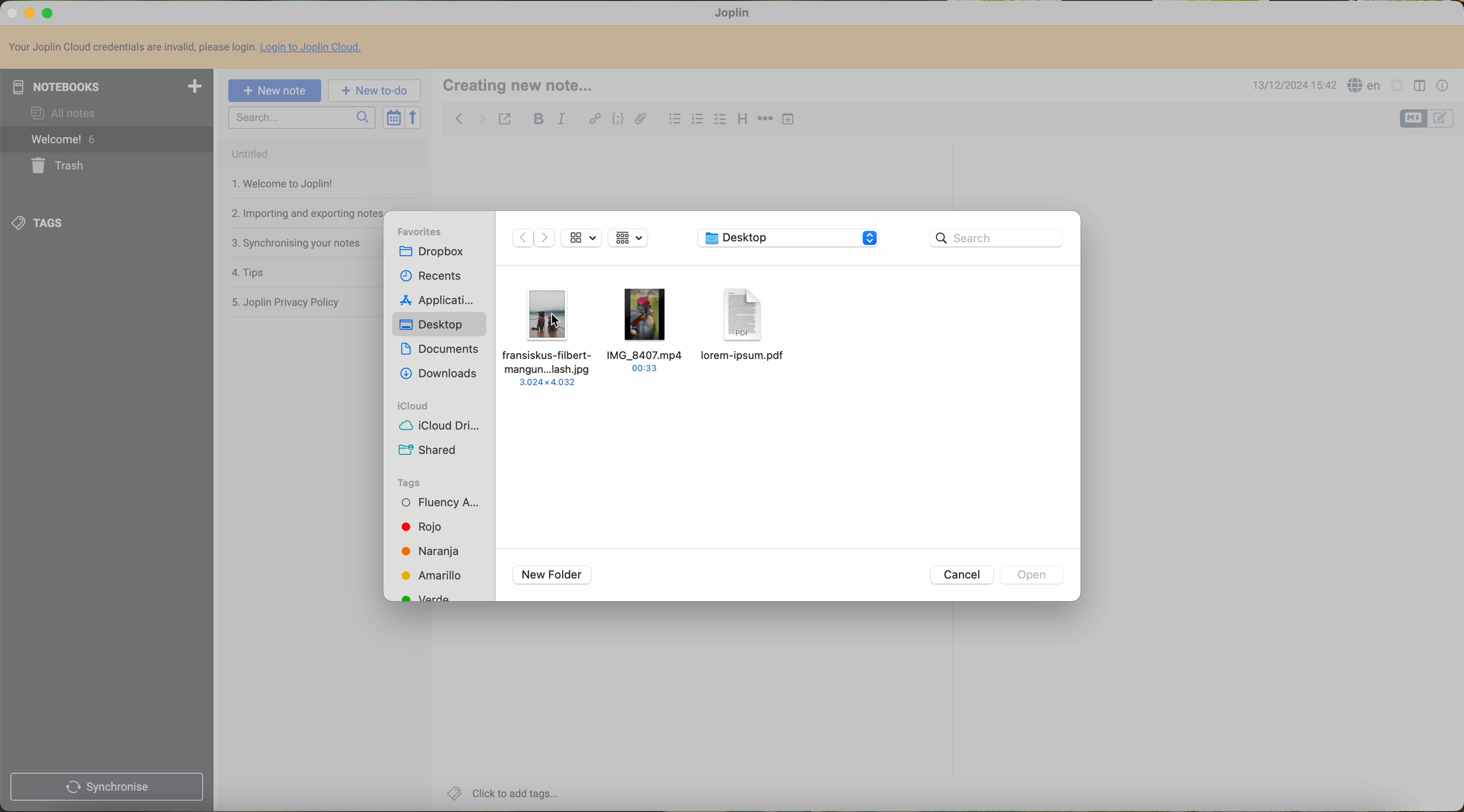  Describe the element at coordinates (435, 325) in the screenshot. I see `desktop` at that location.